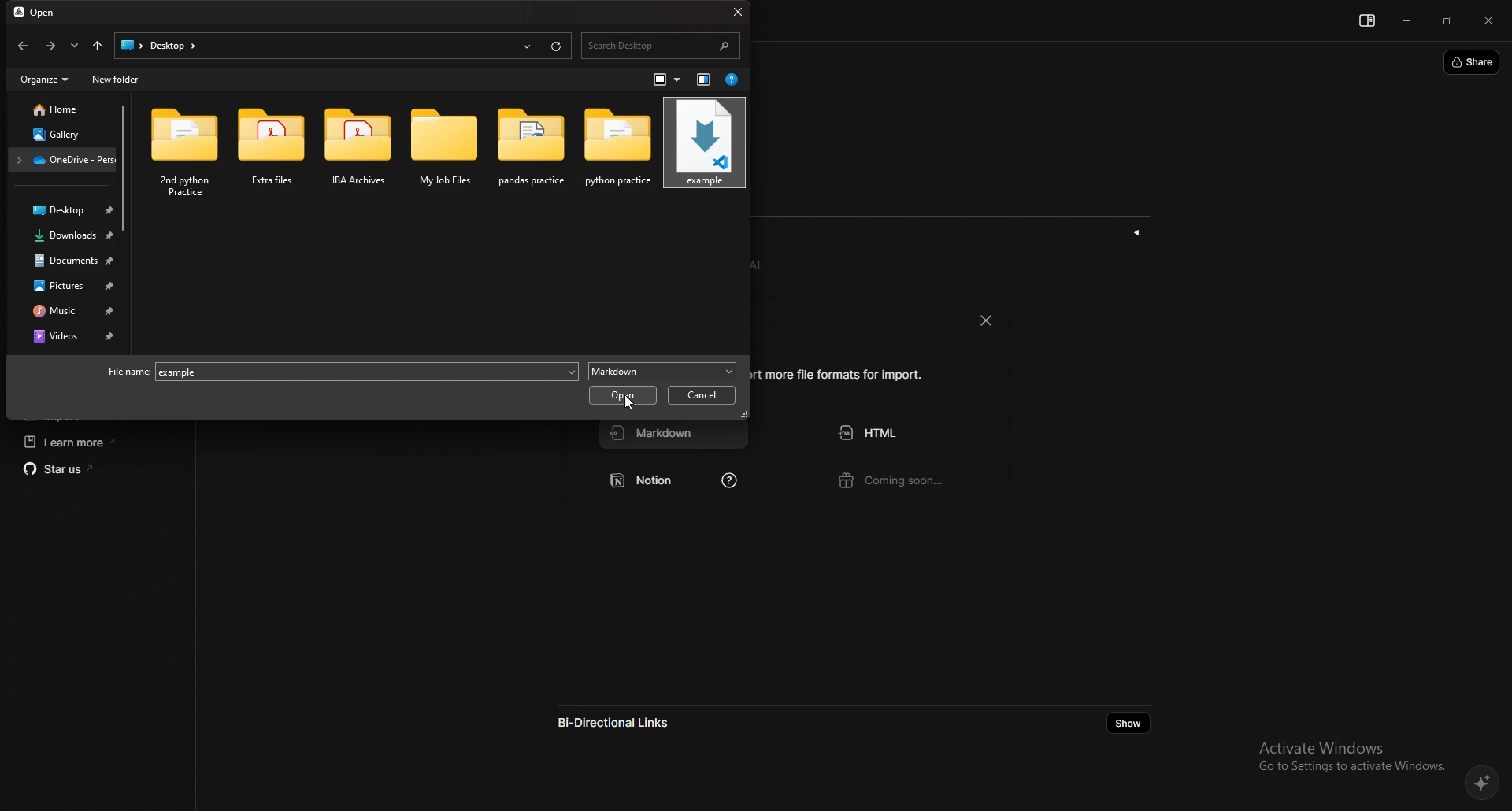  I want to click on learn how, so click(728, 483).